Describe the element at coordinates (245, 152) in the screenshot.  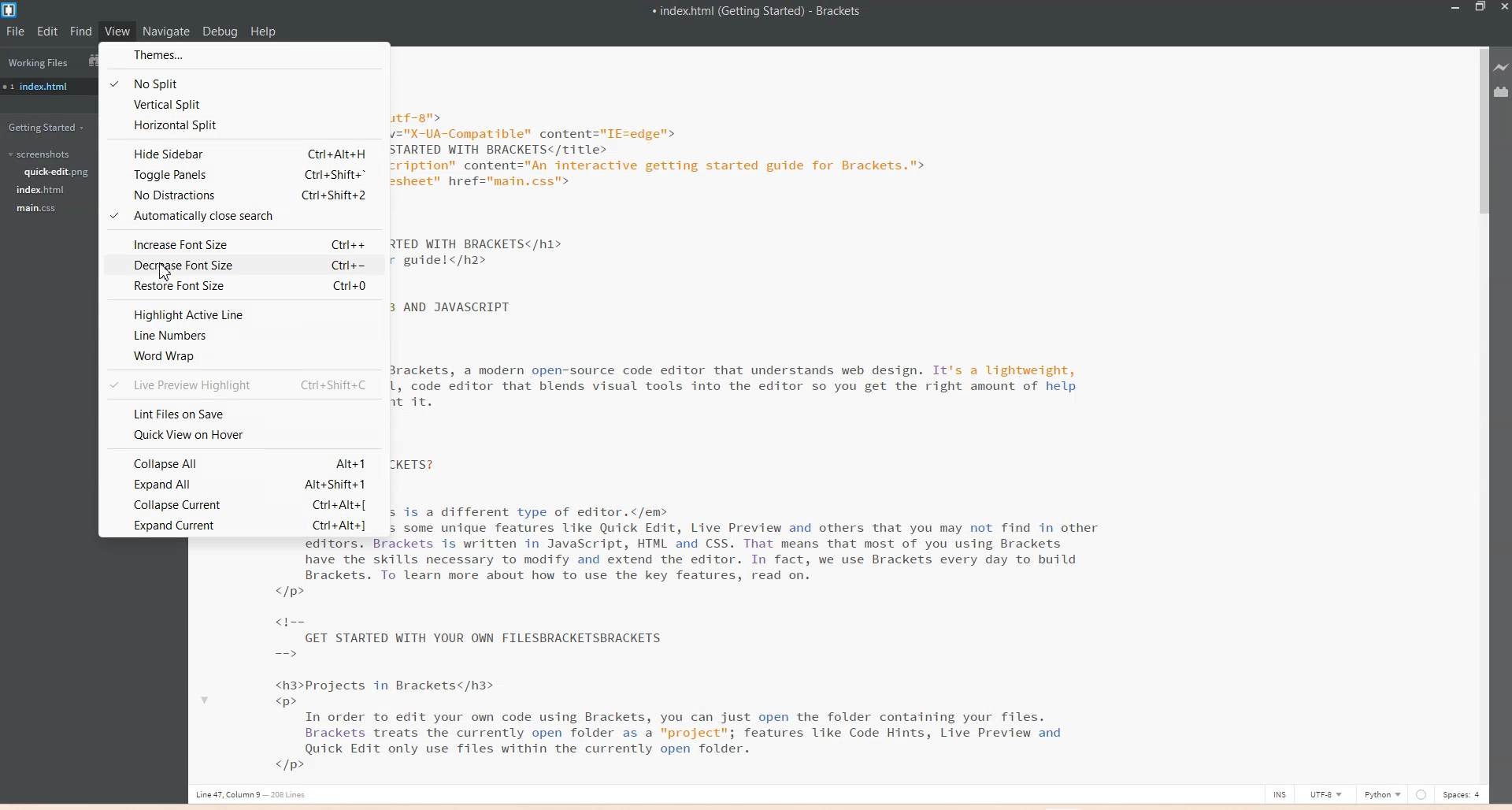
I see `Hide Sidebar` at that location.